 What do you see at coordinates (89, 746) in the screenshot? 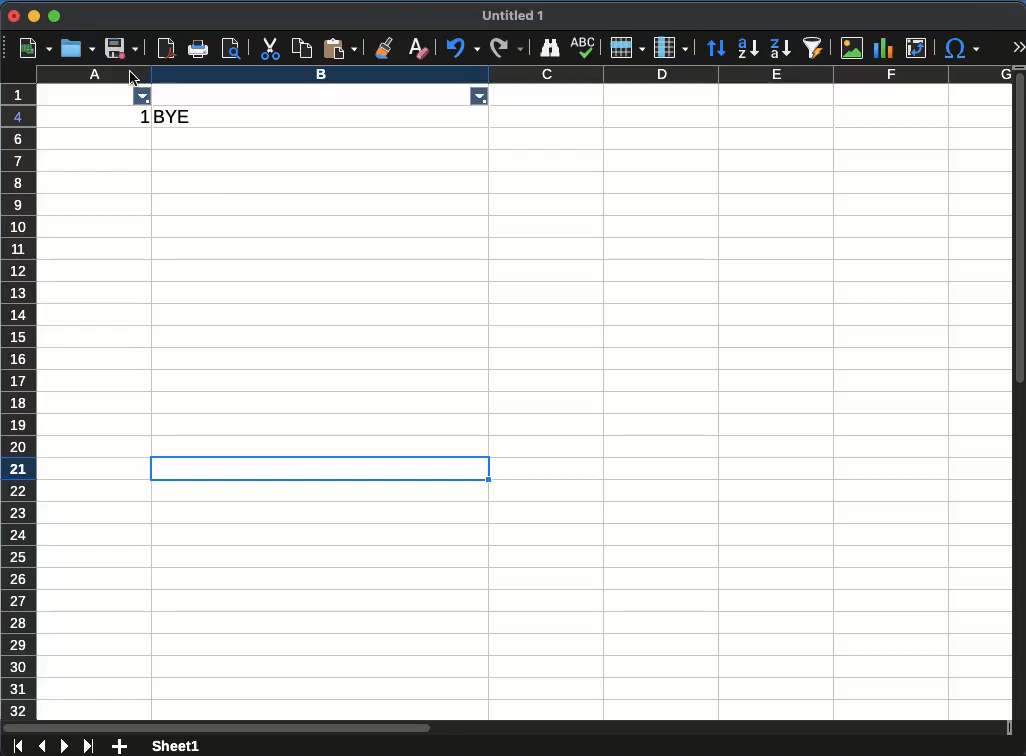
I see `last sheet` at bounding box center [89, 746].